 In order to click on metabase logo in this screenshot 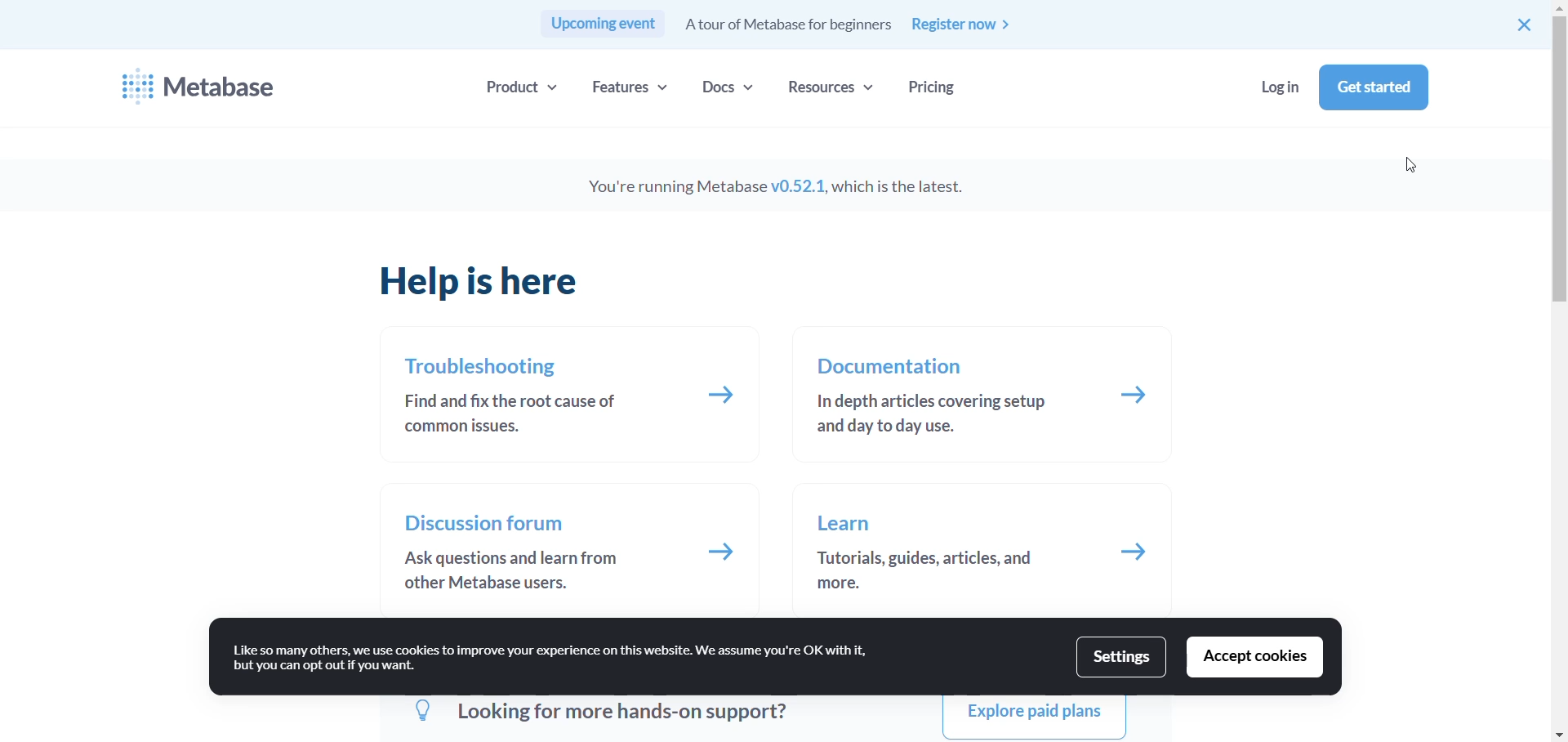, I will do `click(134, 84)`.